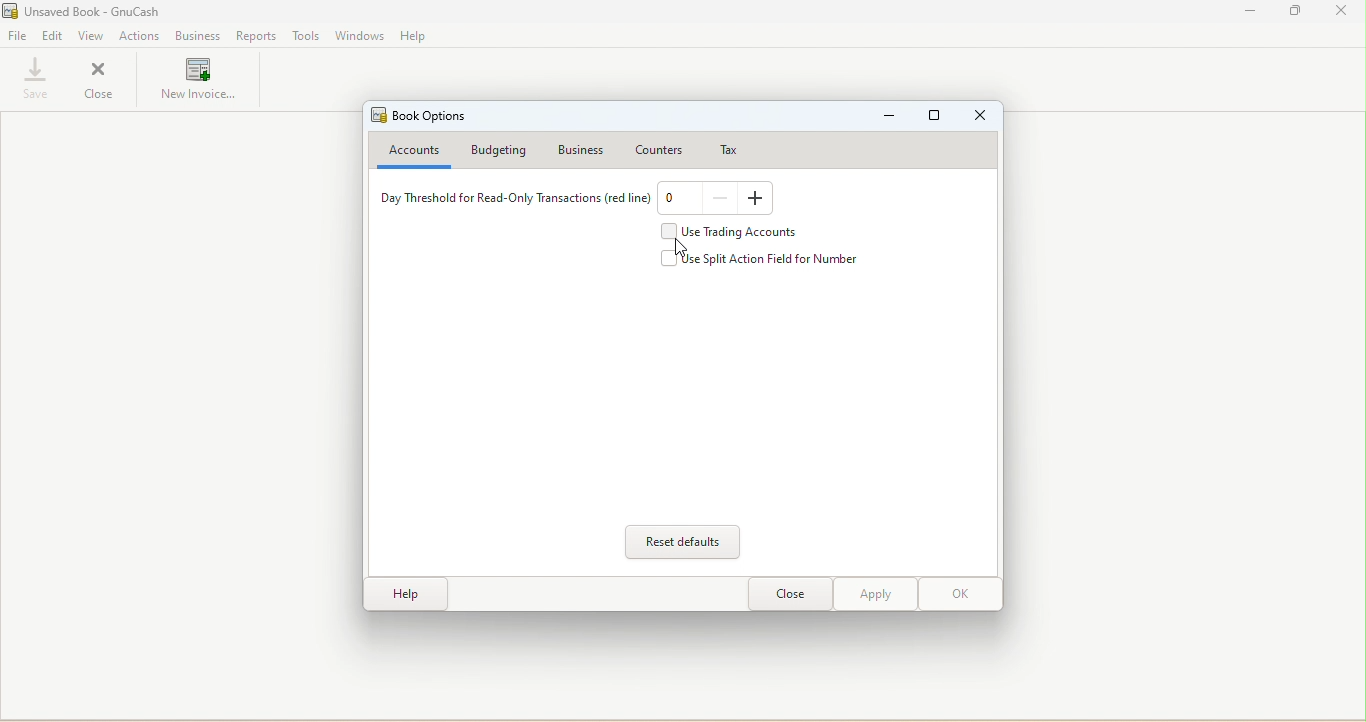 Image resolution: width=1366 pixels, height=722 pixels. I want to click on Minimize, so click(889, 118).